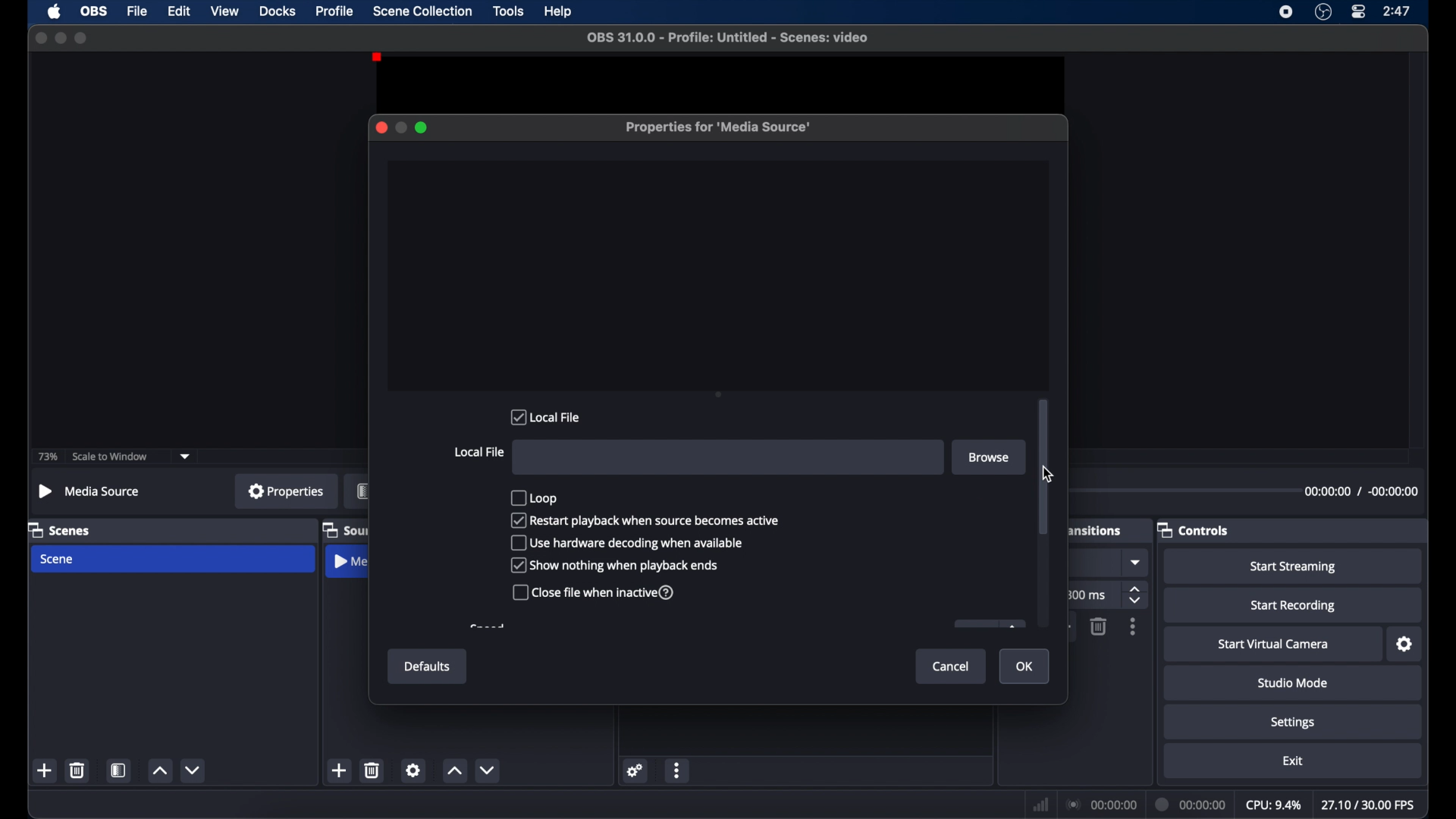 Image resolution: width=1456 pixels, height=819 pixels. Describe the element at coordinates (1133, 626) in the screenshot. I see `moreoptions` at that location.